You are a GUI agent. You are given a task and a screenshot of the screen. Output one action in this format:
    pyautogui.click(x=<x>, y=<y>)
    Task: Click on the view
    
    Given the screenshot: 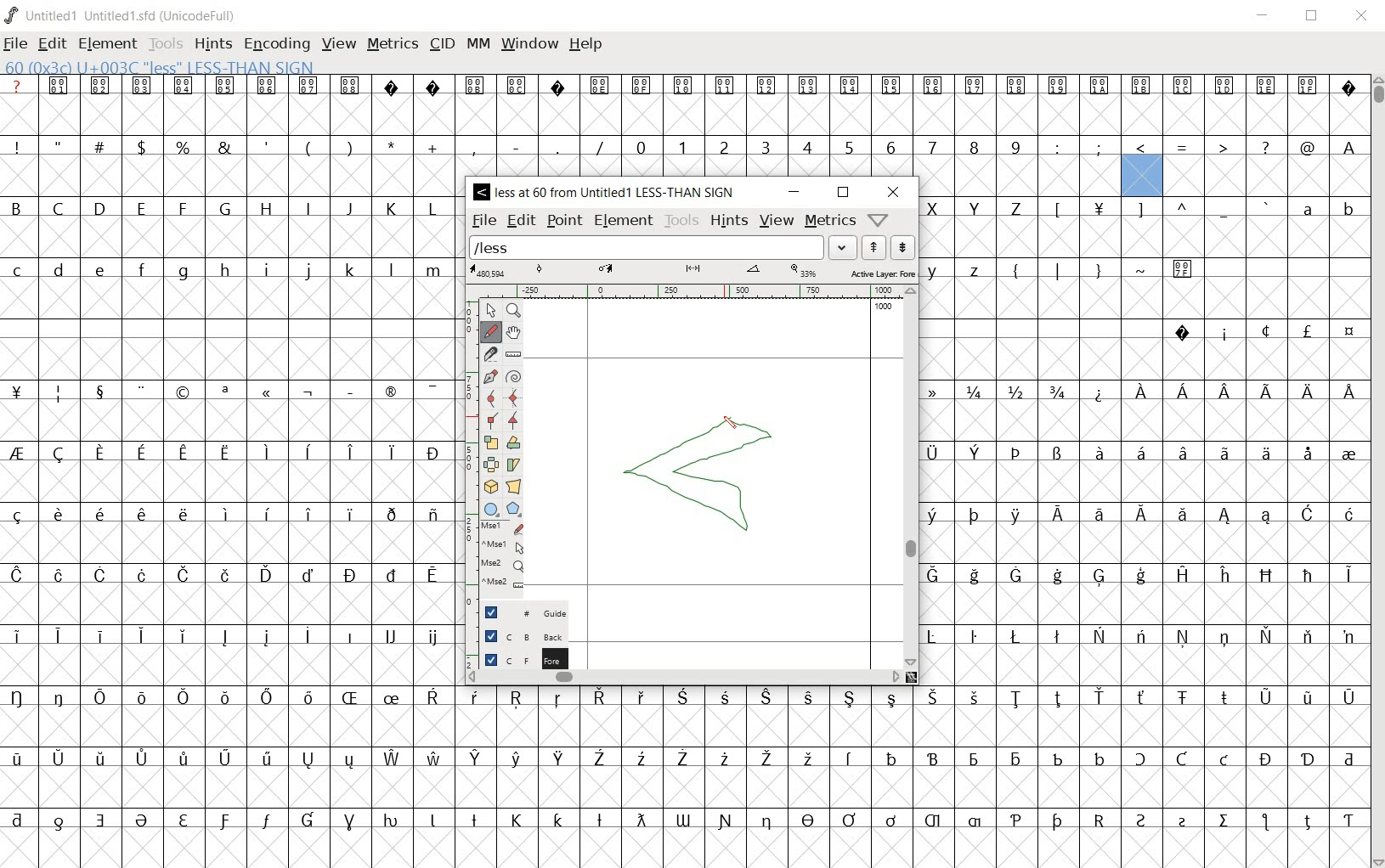 What is the action you would take?
    pyautogui.click(x=777, y=219)
    